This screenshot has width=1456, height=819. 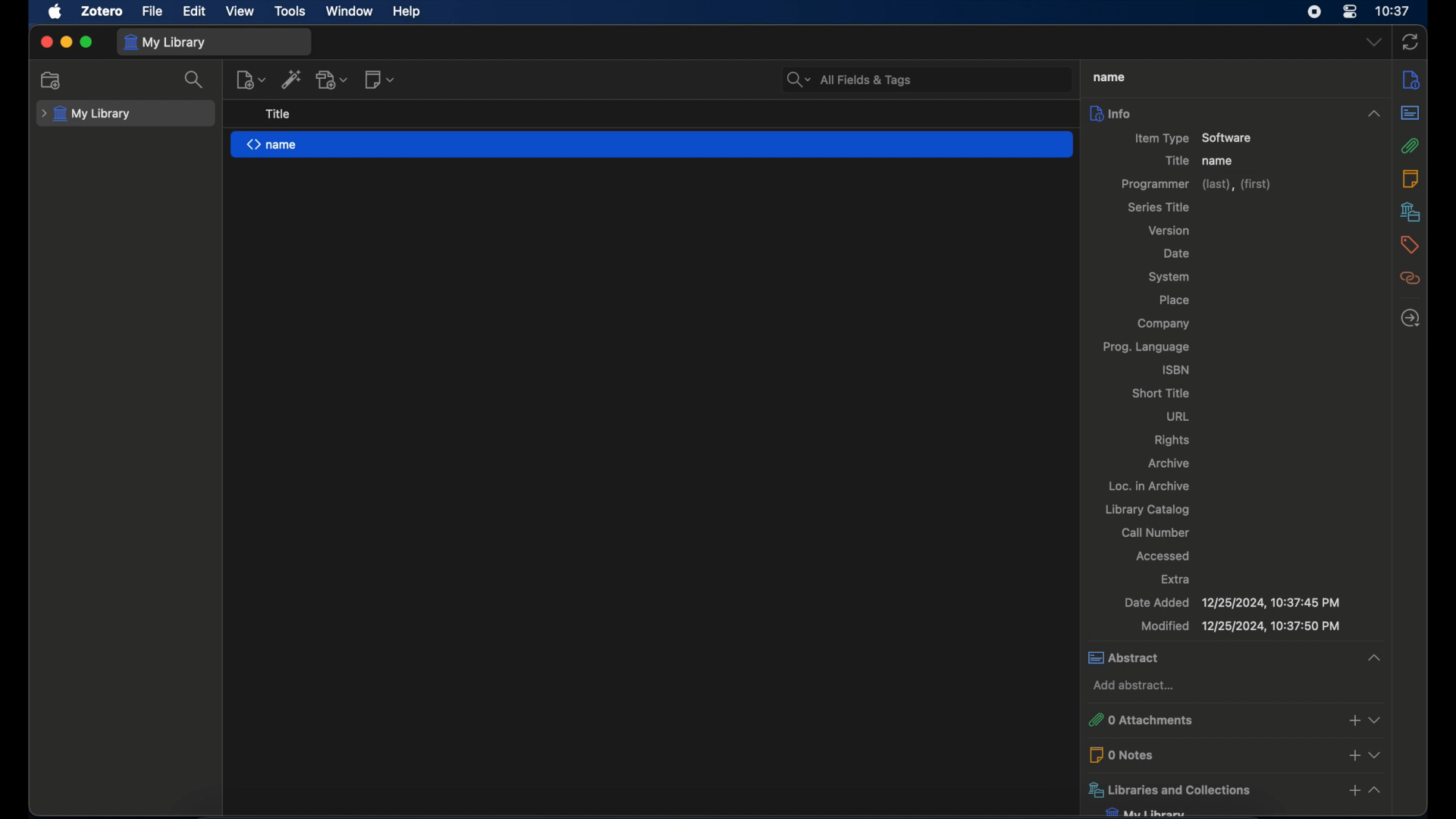 What do you see at coordinates (1178, 416) in the screenshot?
I see `url` at bounding box center [1178, 416].